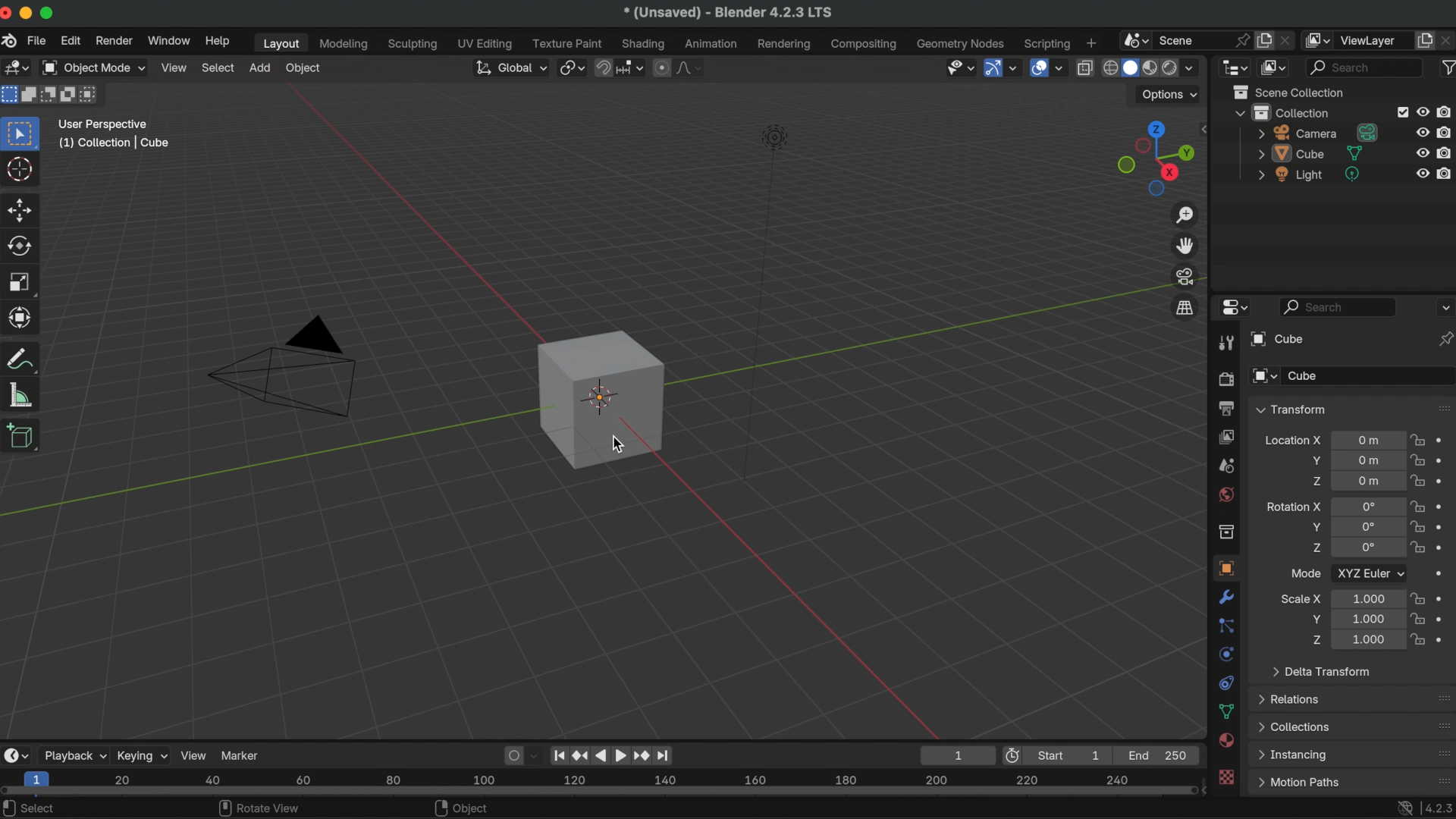 Image resolution: width=1456 pixels, height=819 pixels. What do you see at coordinates (560, 753) in the screenshot?
I see `jumpo to endpoint` at bounding box center [560, 753].